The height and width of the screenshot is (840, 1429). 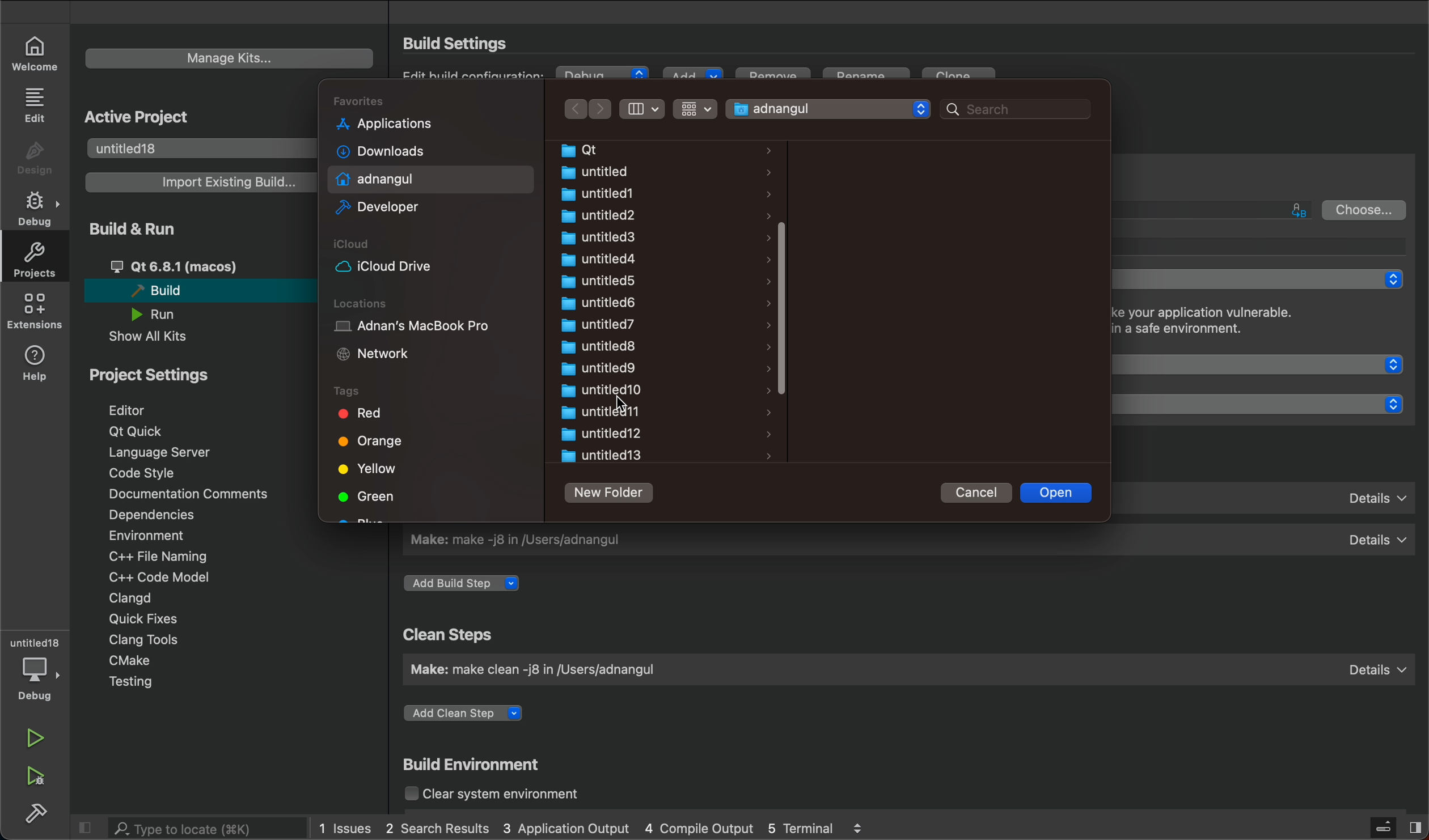 I want to click on Adnan's MacBook Pro, so click(x=405, y=325).